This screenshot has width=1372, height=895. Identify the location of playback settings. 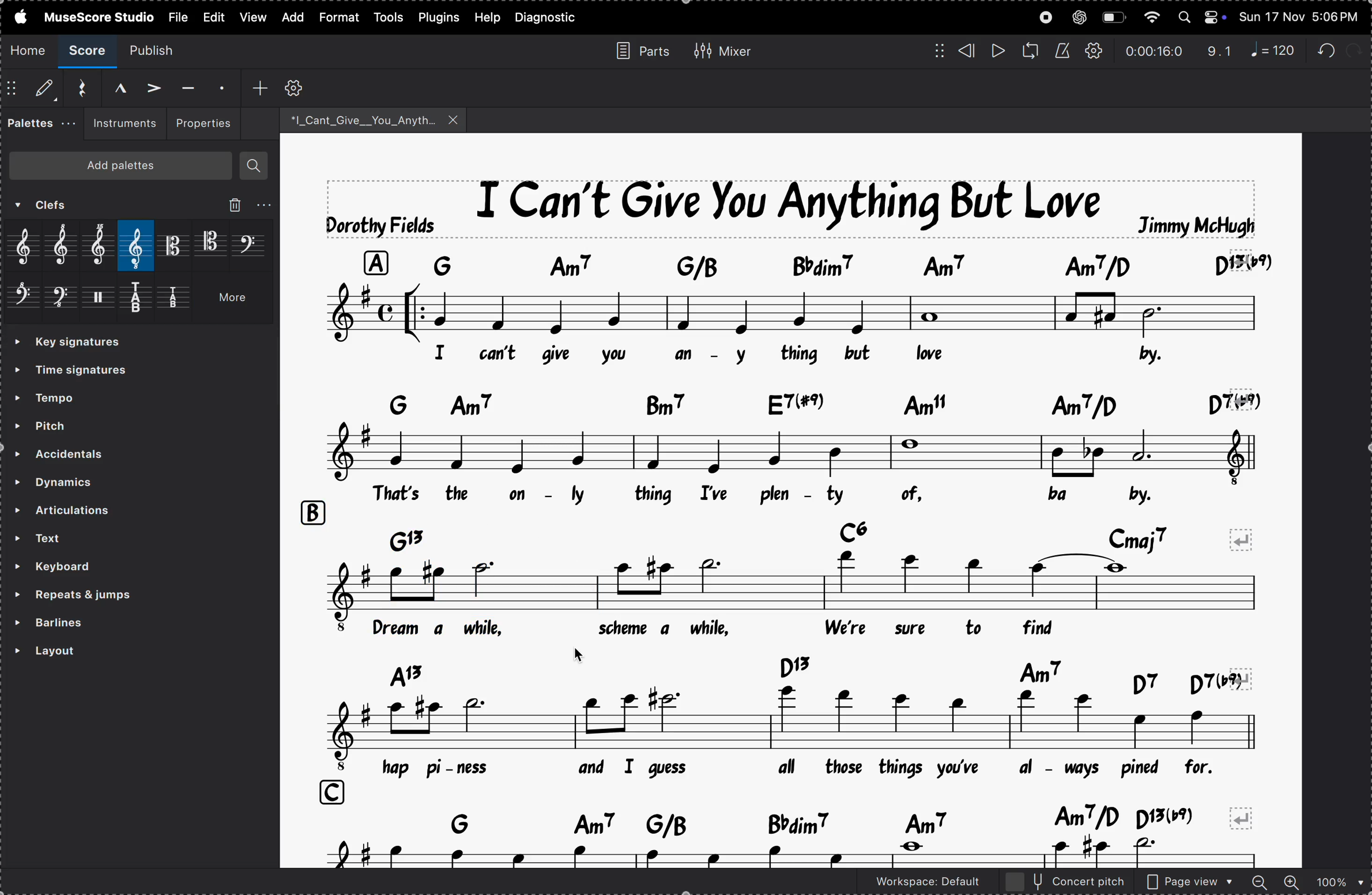
(1095, 51).